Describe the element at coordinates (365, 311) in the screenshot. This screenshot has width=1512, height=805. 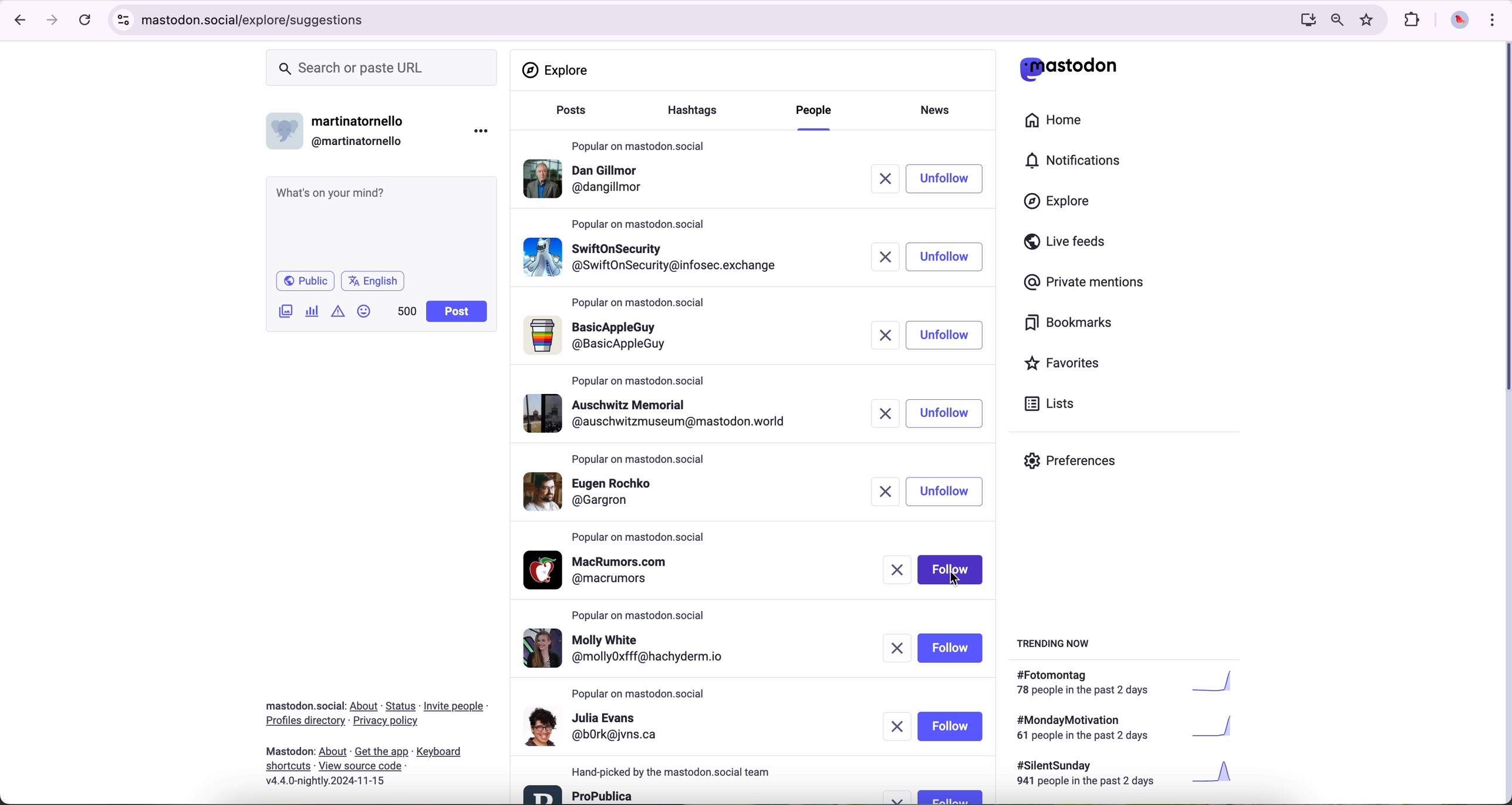
I see `emoji` at that location.